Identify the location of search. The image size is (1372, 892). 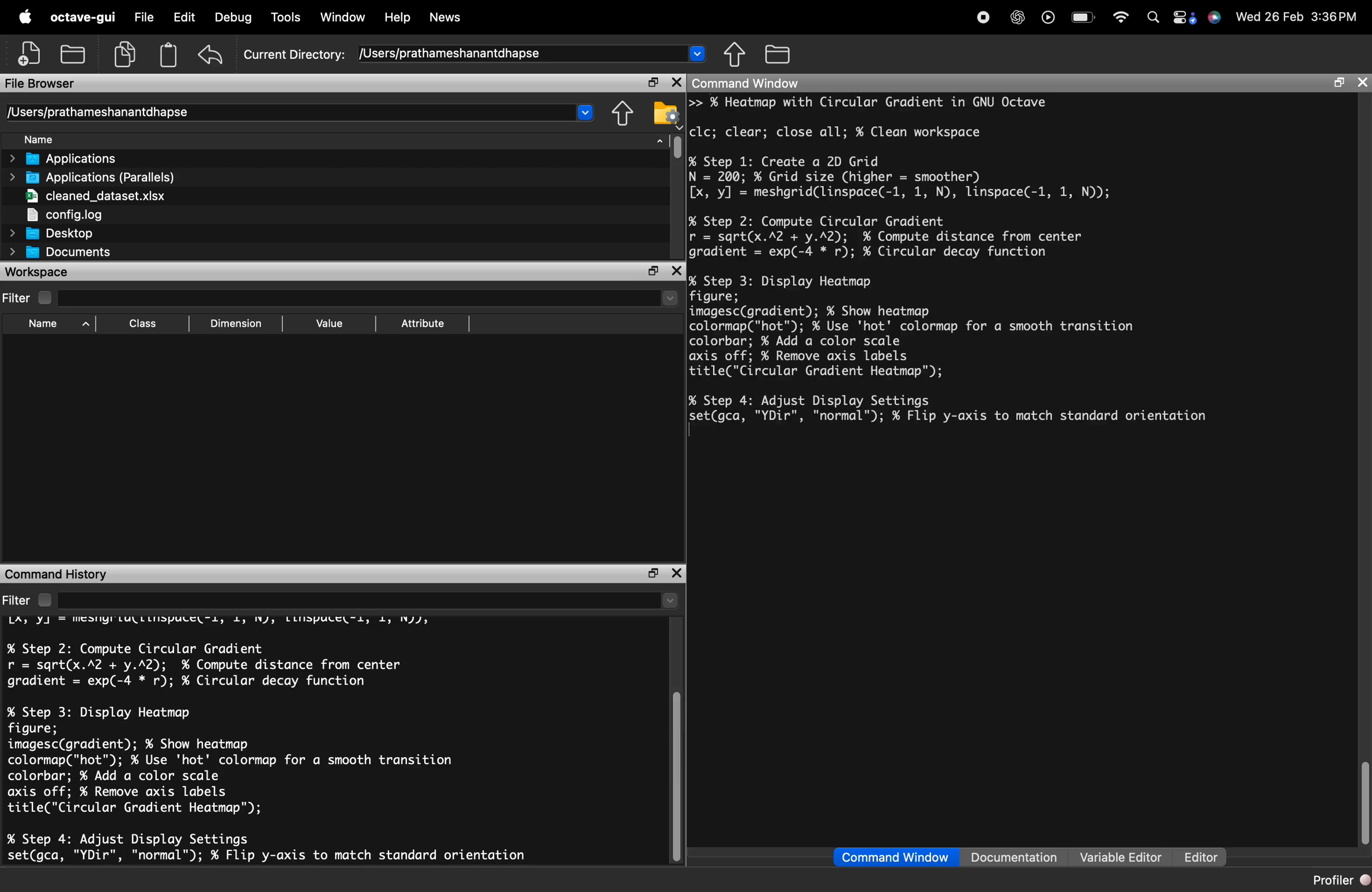
(1155, 18).